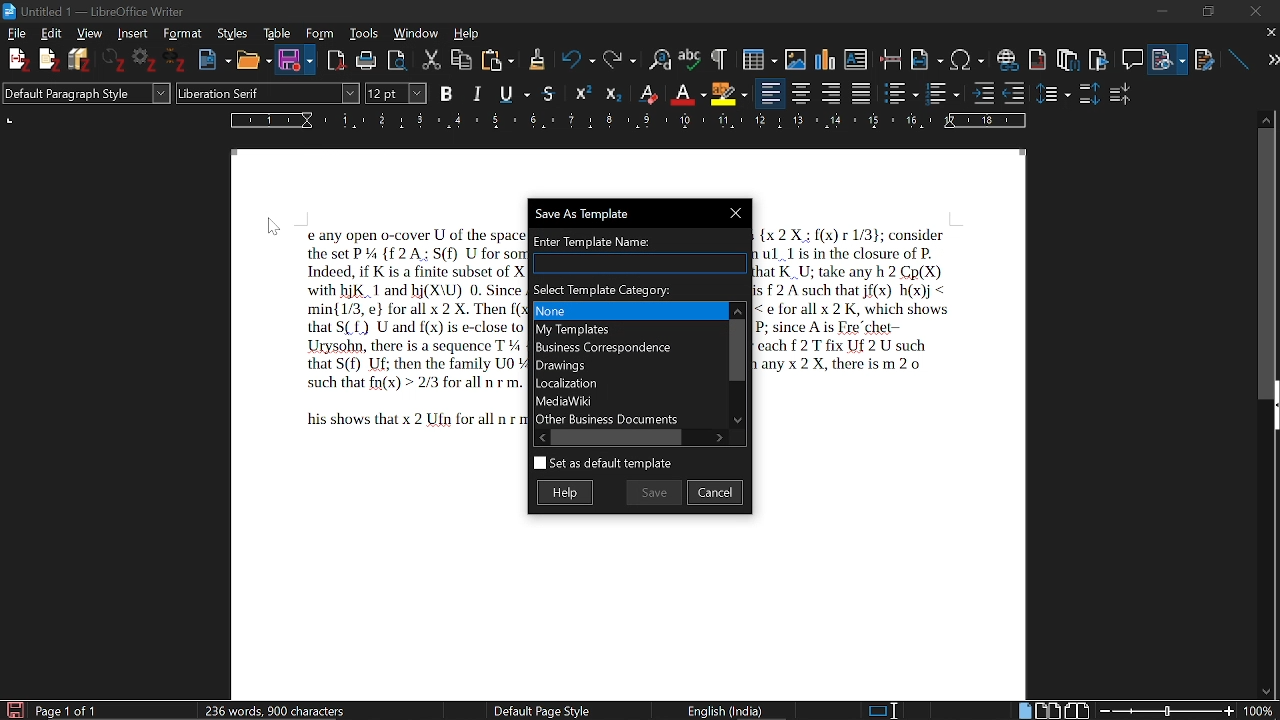 The height and width of the screenshot is (720, 1280). I want to click on Open, so click(251, 60).